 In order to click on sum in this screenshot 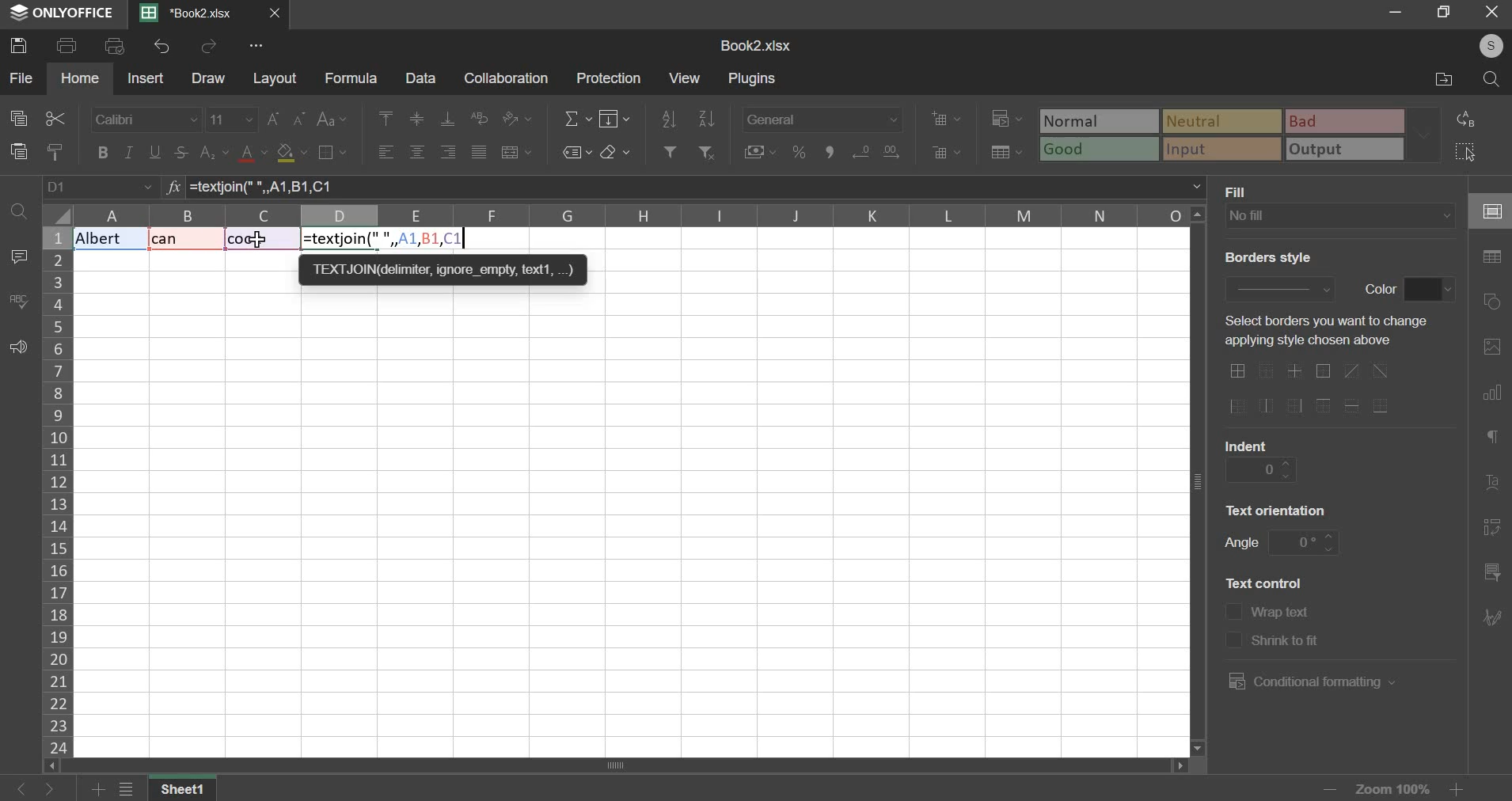, I will do `click(578, 117)`.